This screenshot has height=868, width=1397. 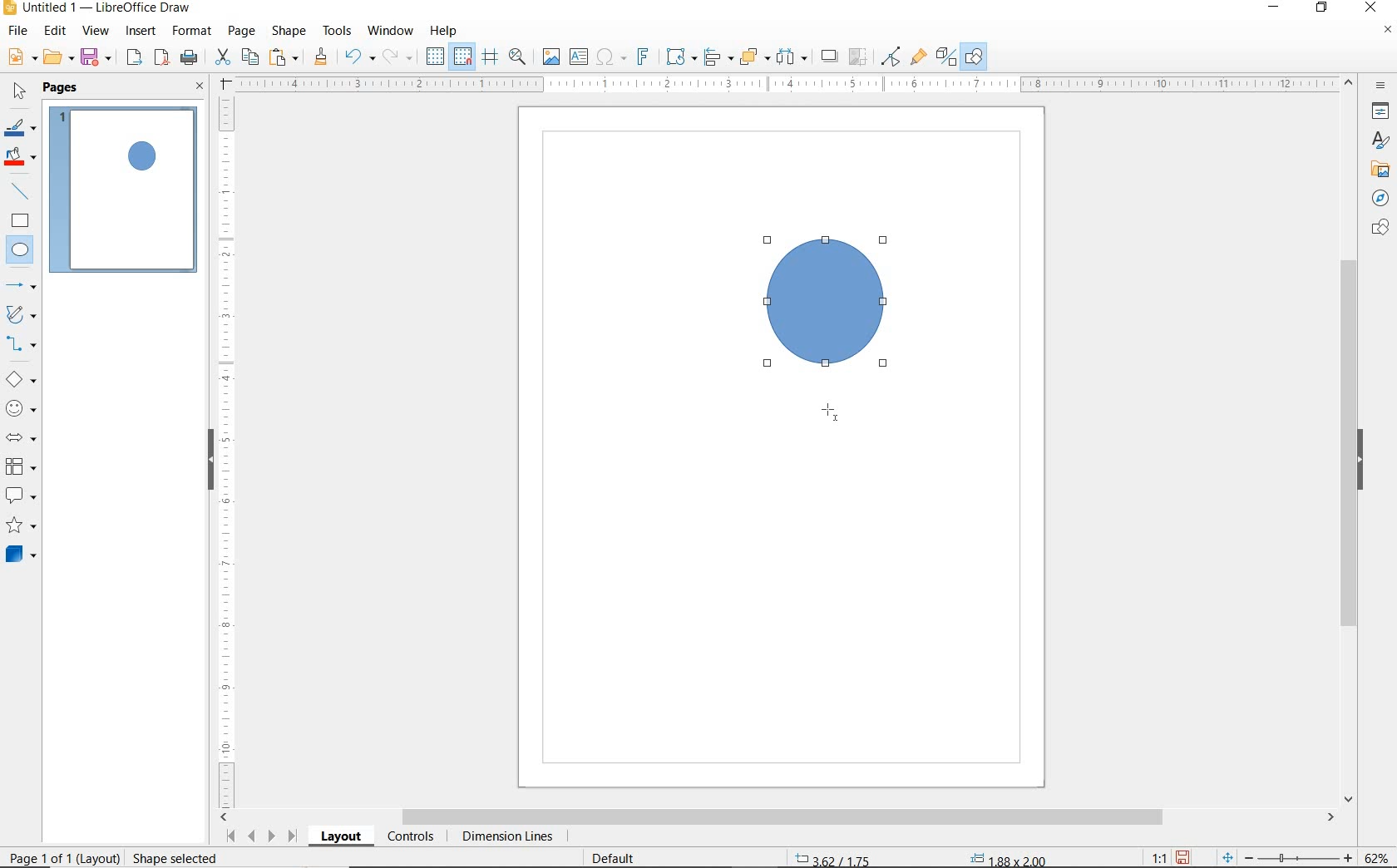 What do you see at coordinates (290, 33) in the screenshot?
I see `SHAPE` at bounding box center [290, 33].